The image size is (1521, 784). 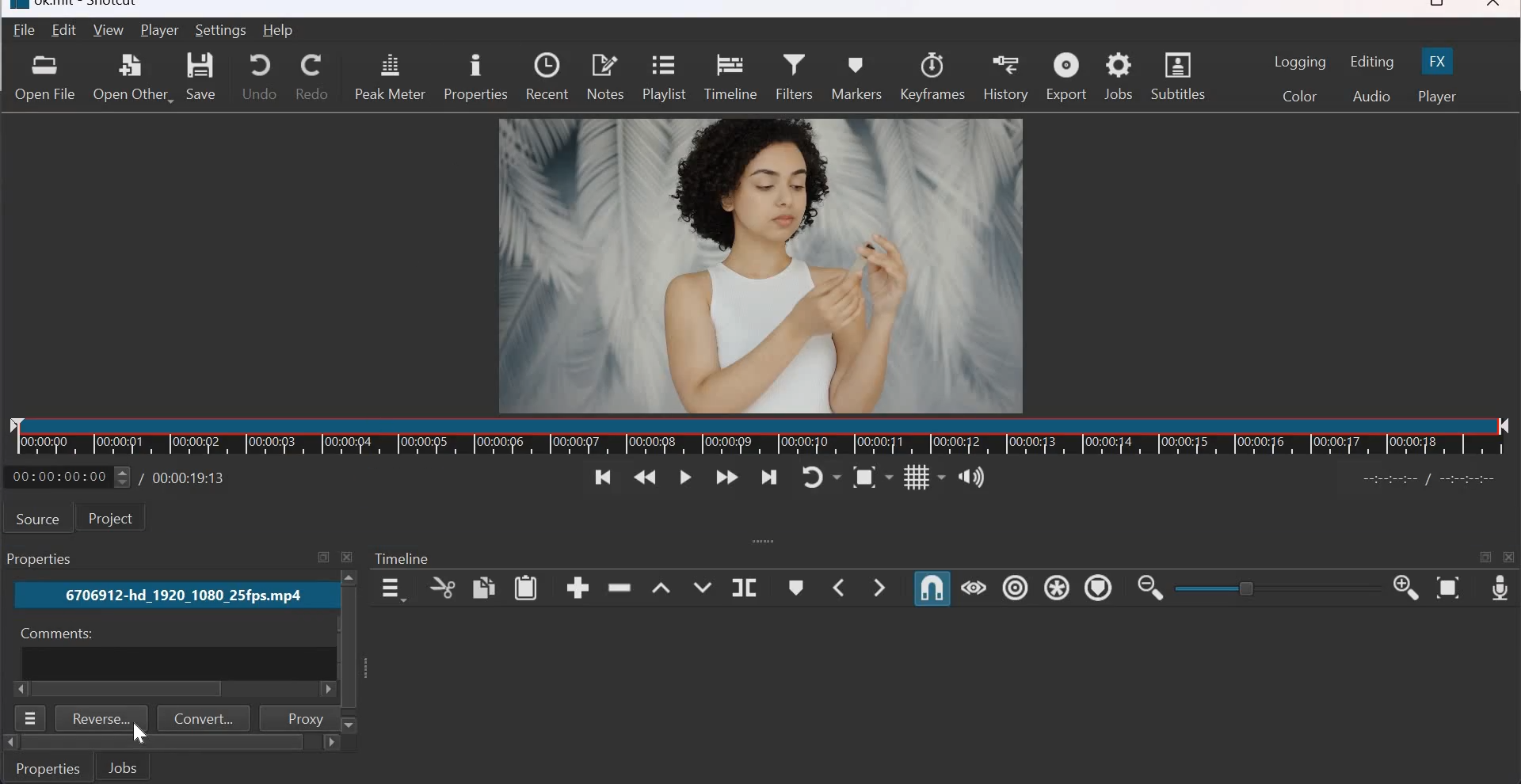 What do you see at coordinates (347, 647) in the screenshot?
I see `` at bounding box center [347, 647].